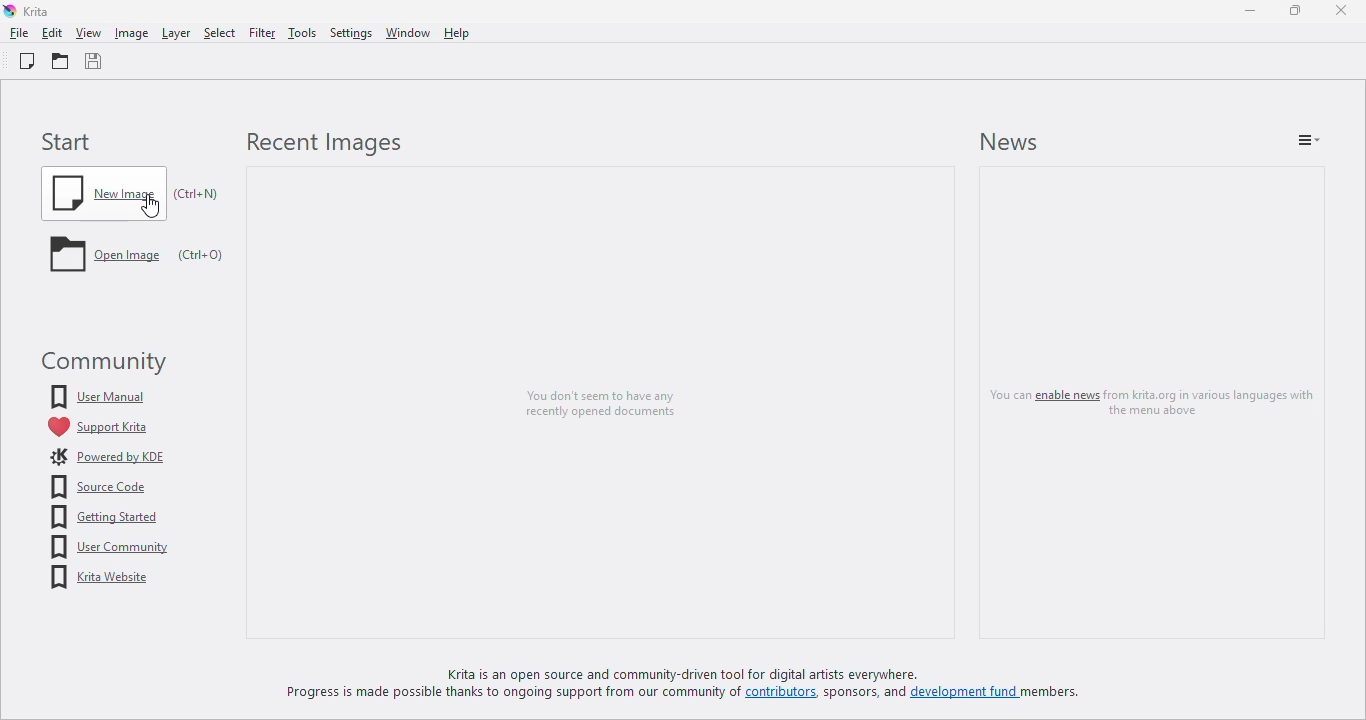  What do you see at coordinates (67, 142) in the screenshot?
I see `start` at bounding box center [67, 142].